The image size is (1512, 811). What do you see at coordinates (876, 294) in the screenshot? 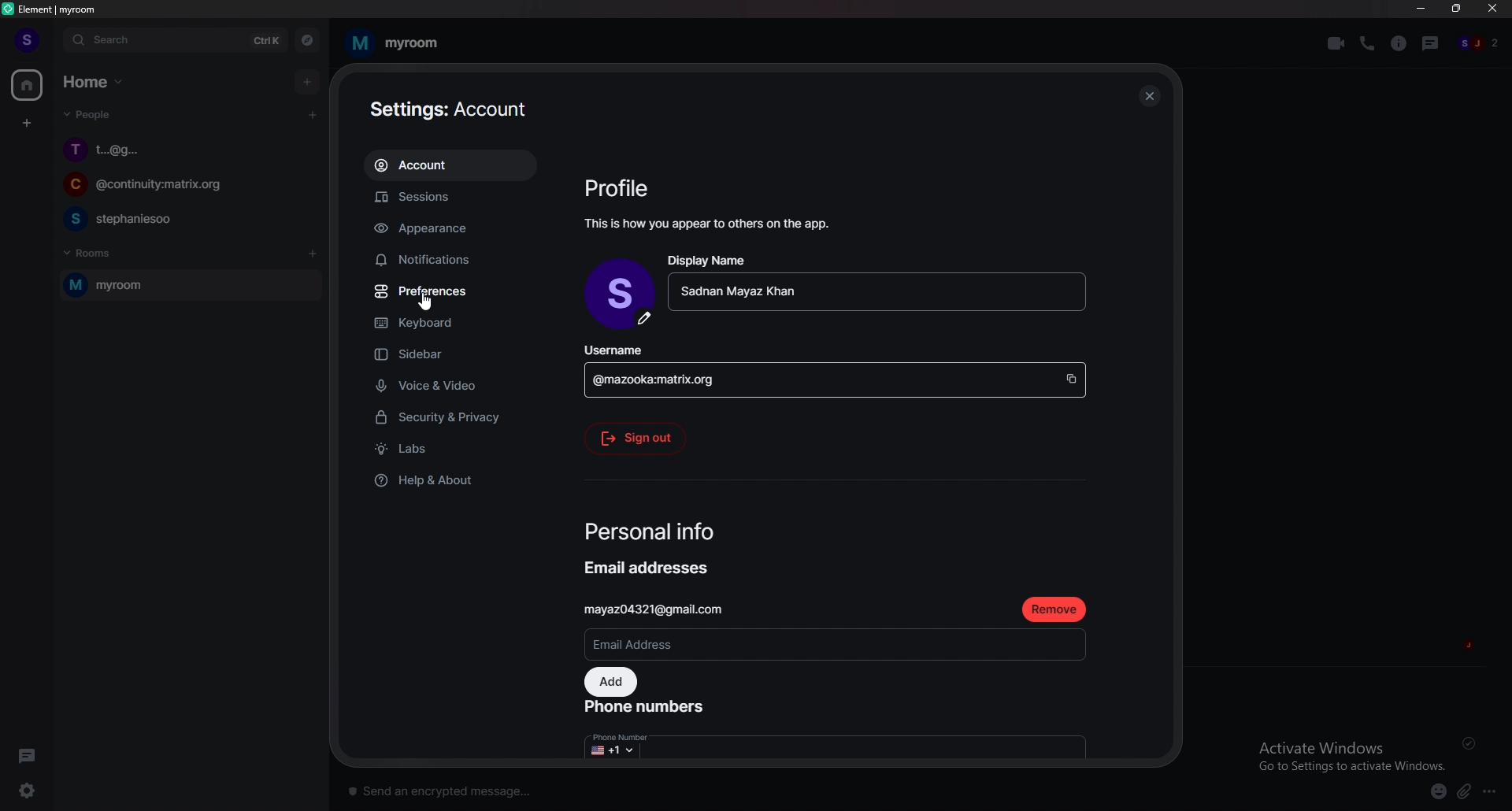
I see `display name` at bounding box center [876, 294].